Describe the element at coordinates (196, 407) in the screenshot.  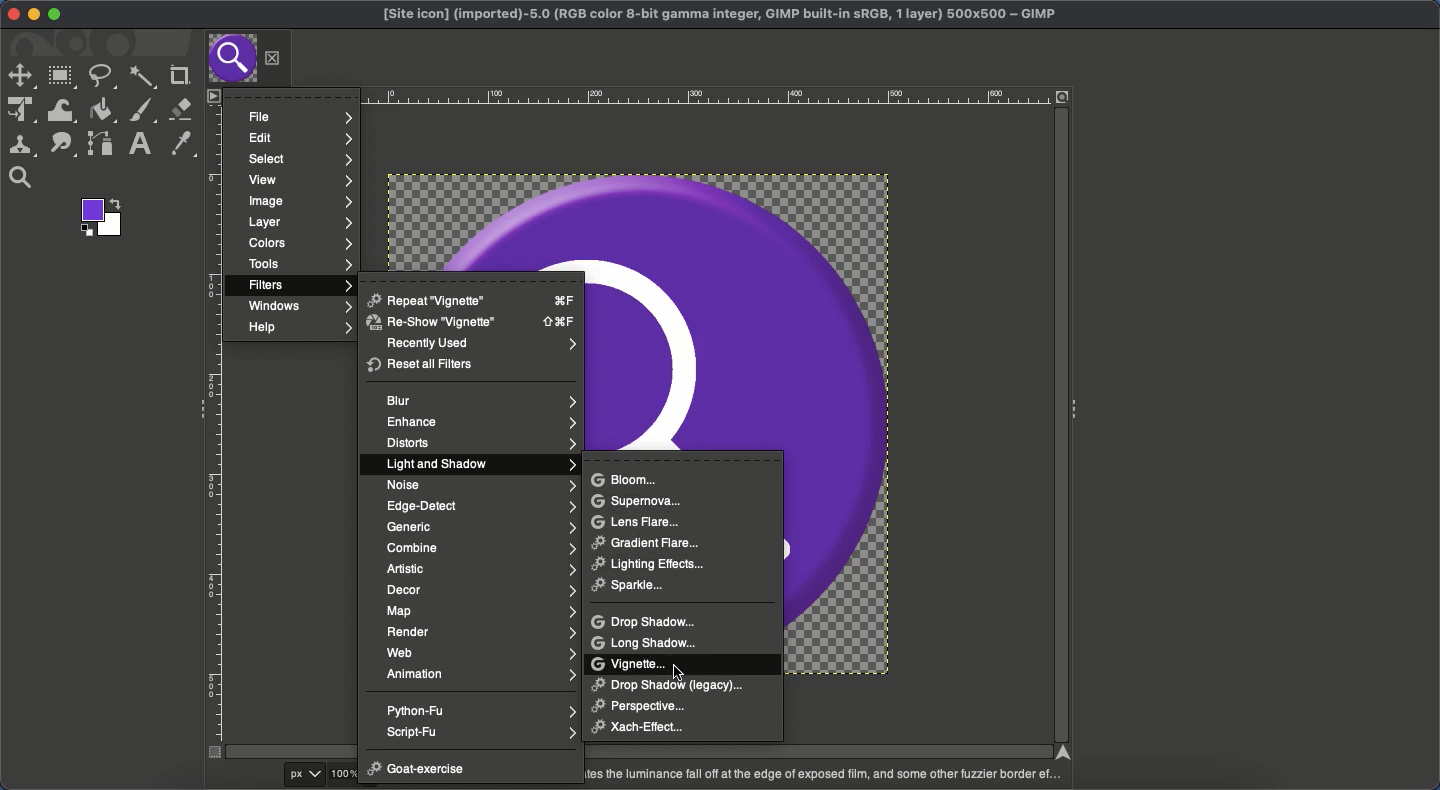
I see `Collapse` at that location.